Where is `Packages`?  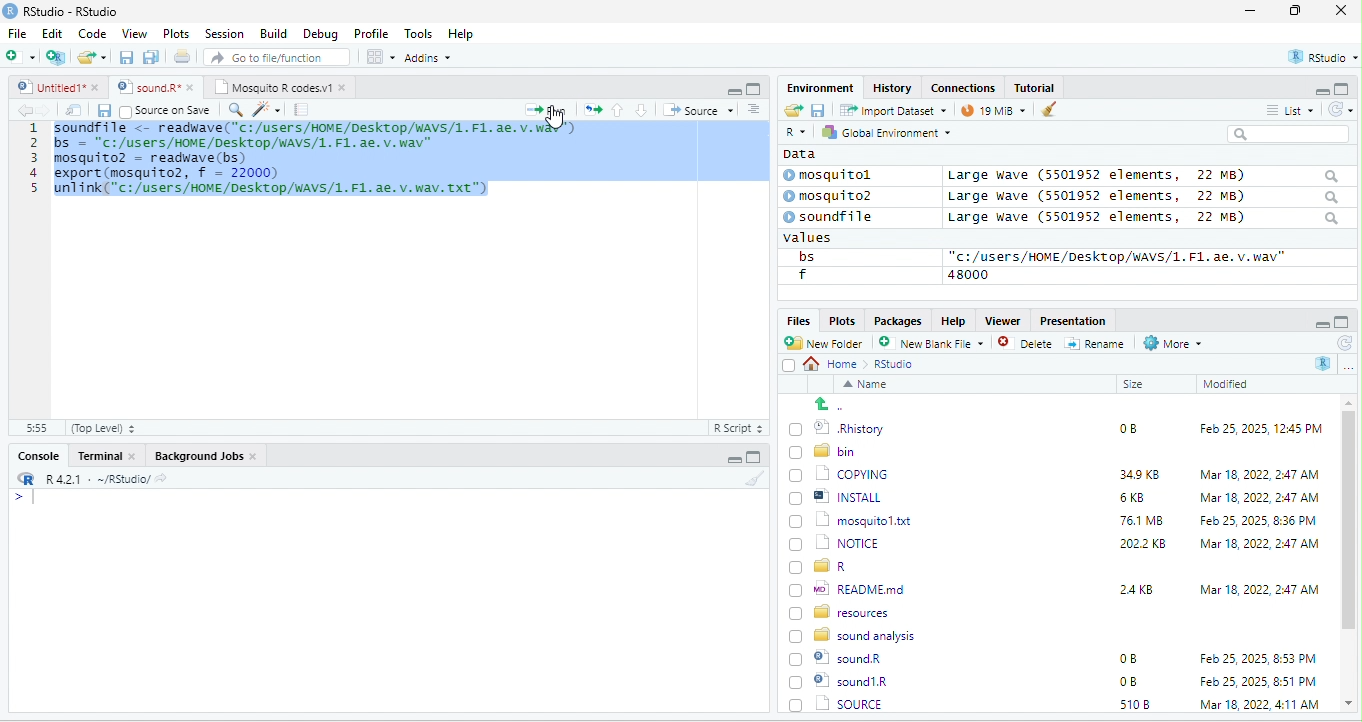 Packages is located at coordinates (901, 320).